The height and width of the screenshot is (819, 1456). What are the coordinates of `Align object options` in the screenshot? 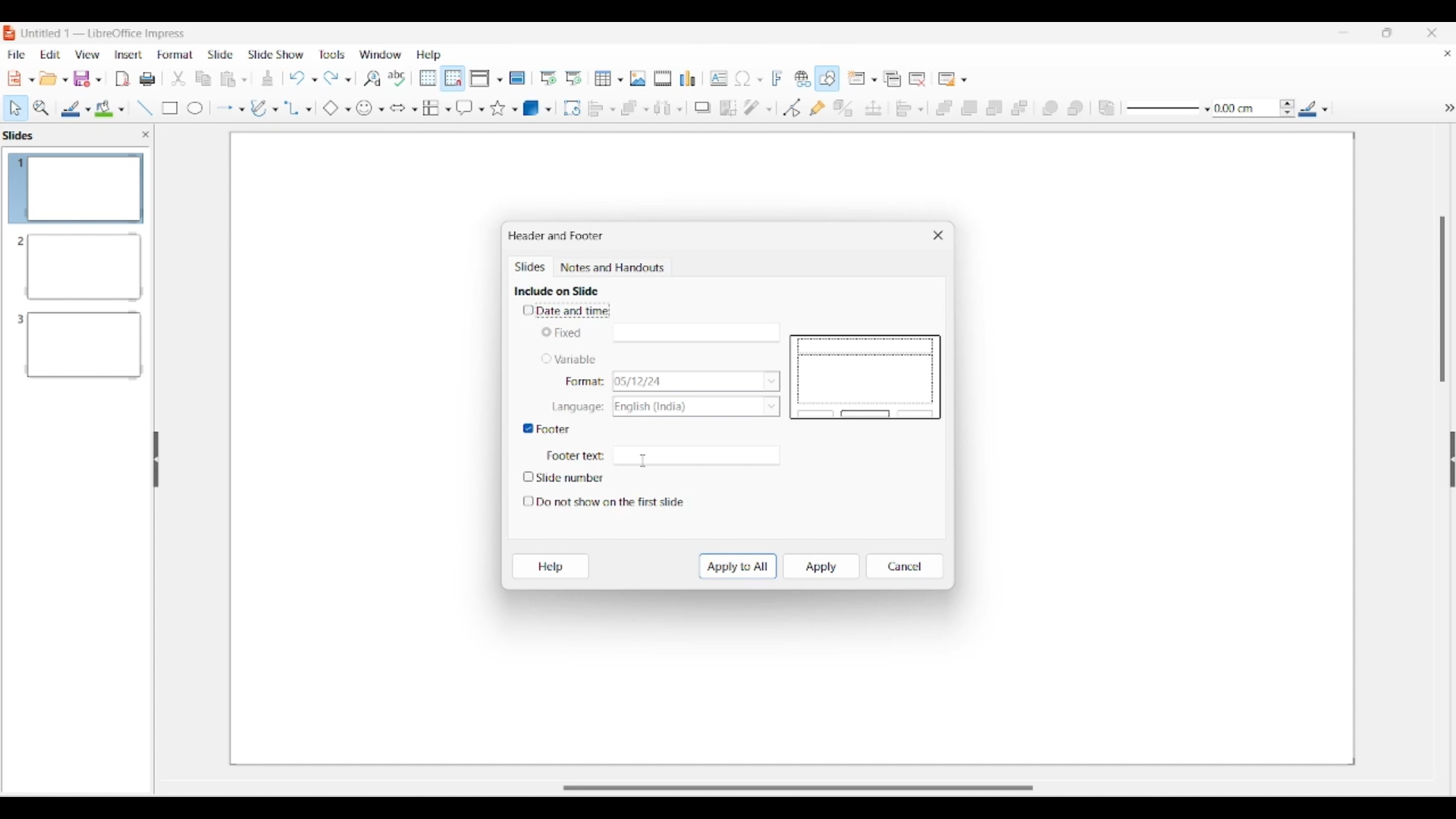 It's located at (602, 109).